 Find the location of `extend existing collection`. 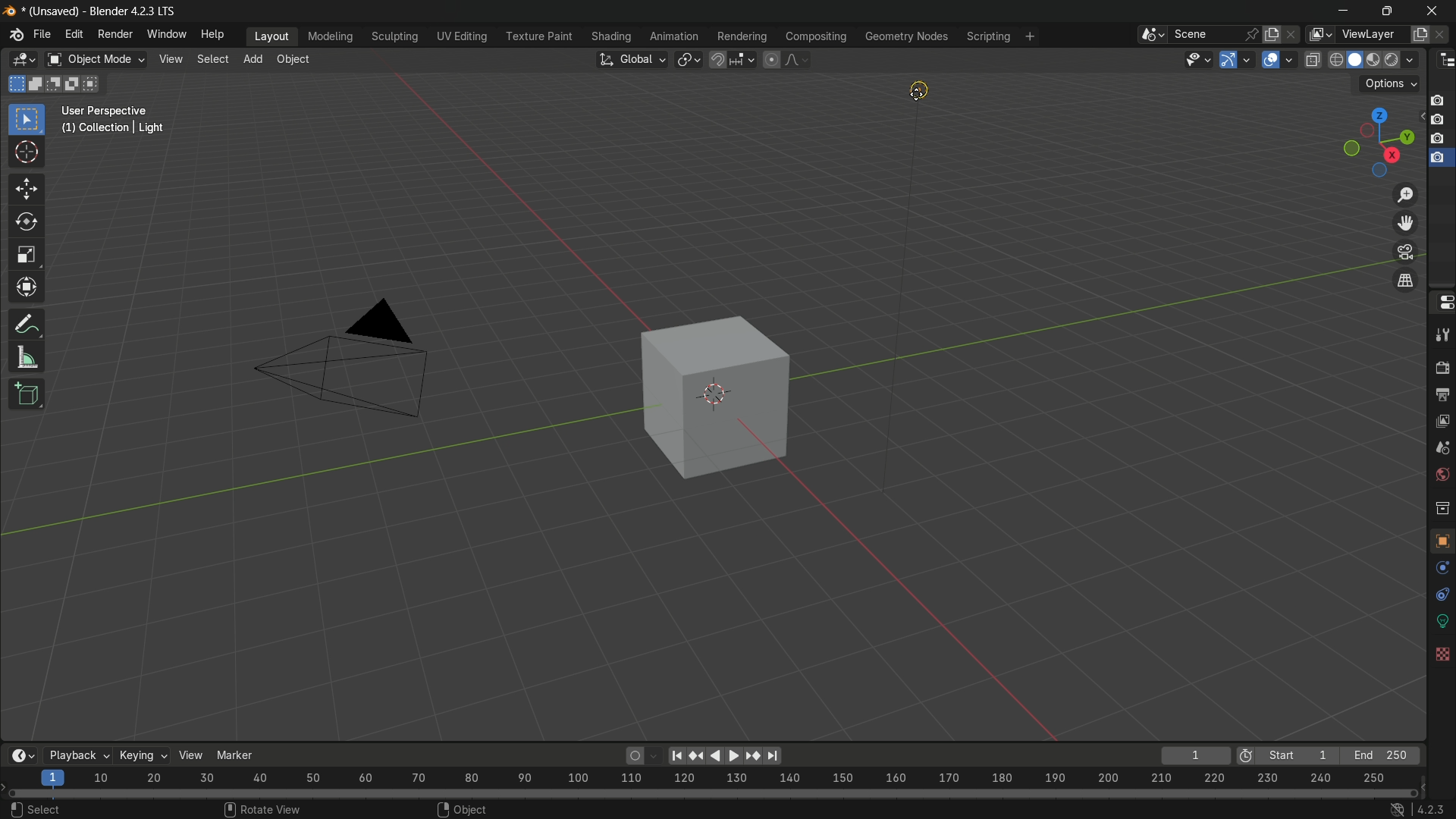

extend existing collection is located at coordinates (38, 83).